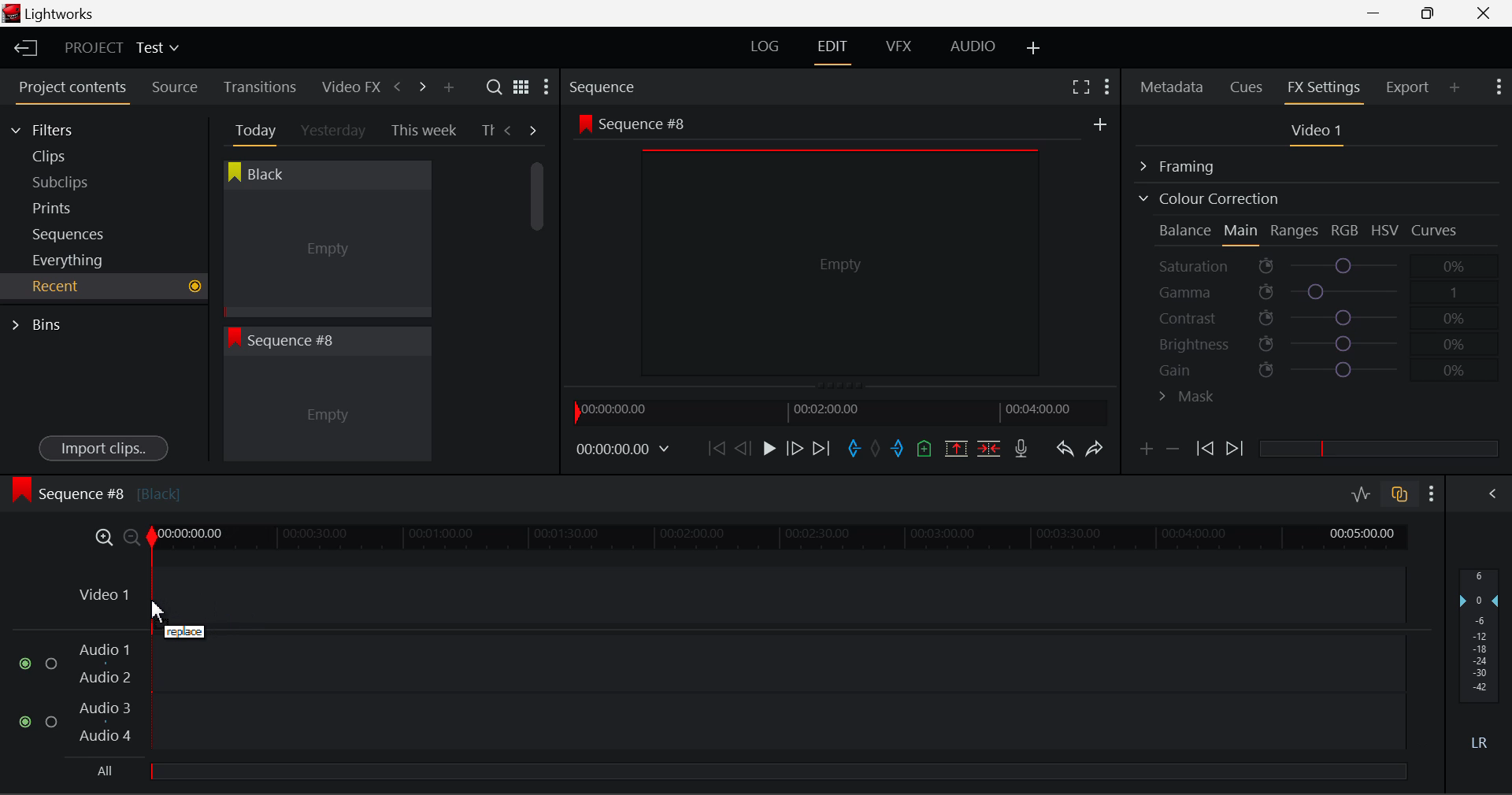  I want to click on Show Audio Mix, so click(1494, 492).